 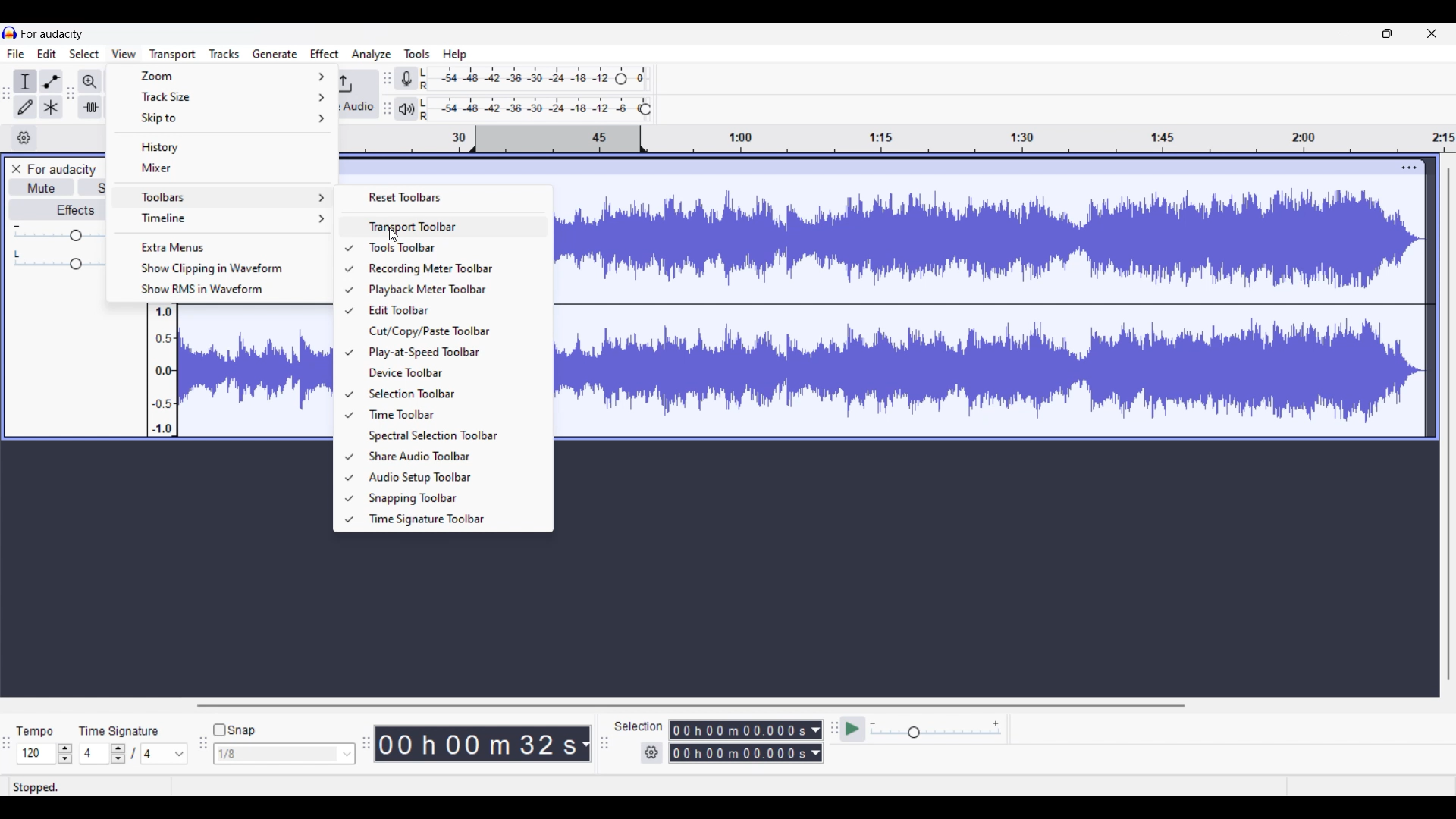 I want to click on Recording meter toolbar, so click(x=450, y=268).